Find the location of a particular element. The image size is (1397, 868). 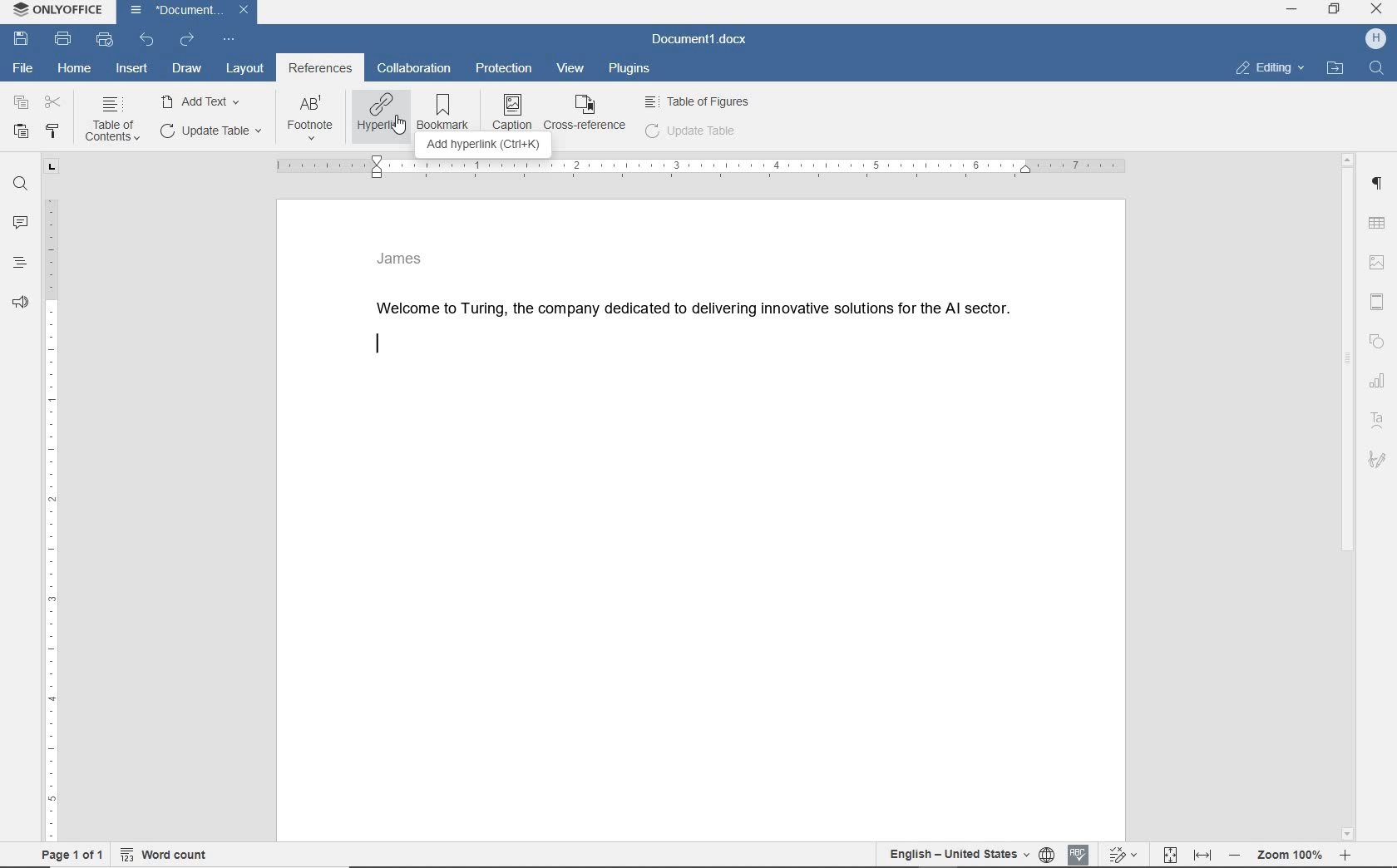

customize quick access bar is located at coordinates (227, 40).